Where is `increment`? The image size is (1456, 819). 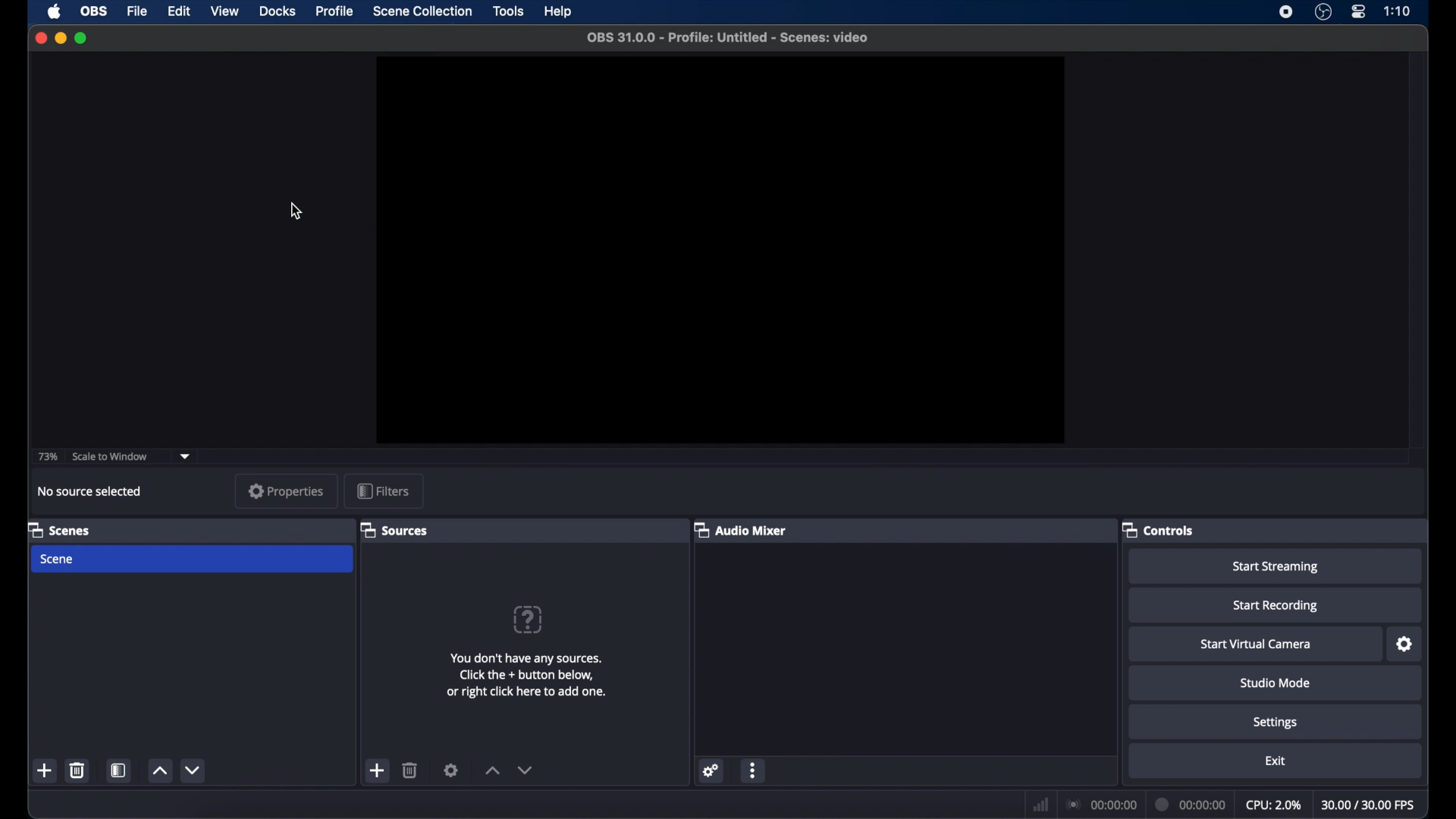 increment is located at coordinates (491, 769).